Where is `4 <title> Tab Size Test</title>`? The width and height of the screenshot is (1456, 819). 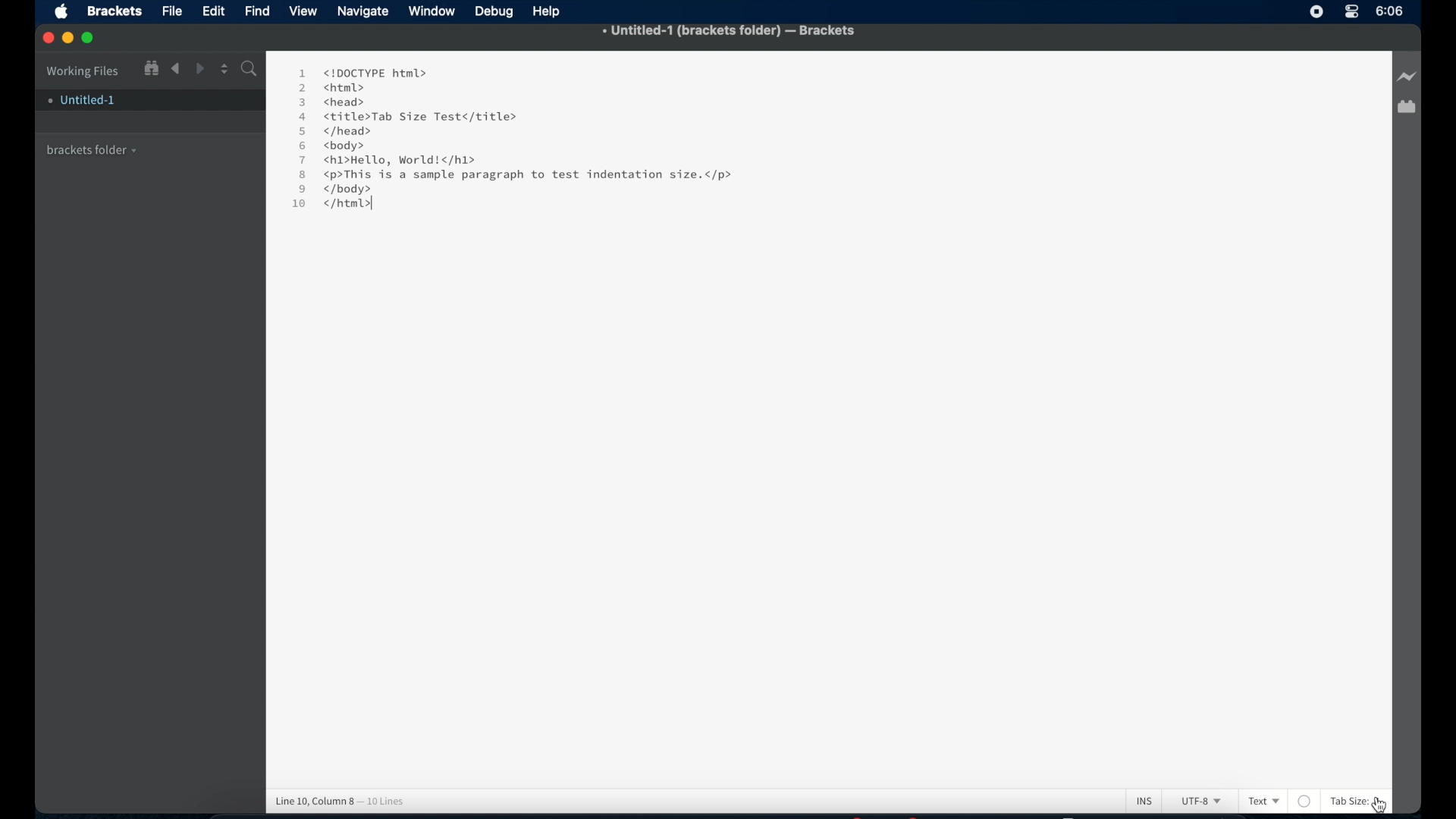 4 <title> Tab Size Test</title> is located at coordinates (406, 117).